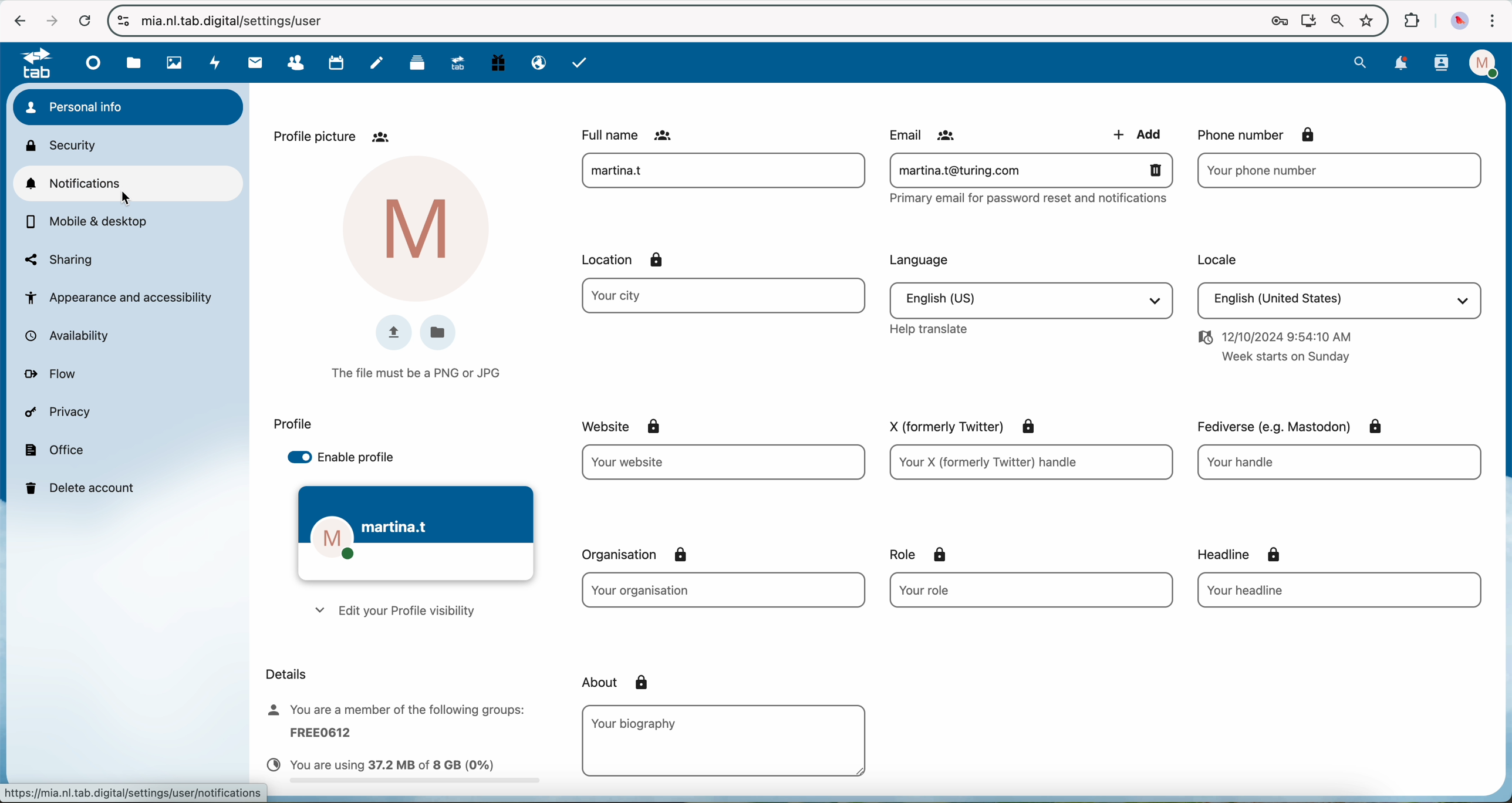 The width and height of the screenshot is (1512, 803). Describe the element at coordinates (725, 296) in the screenshot. I see `location` at that location.